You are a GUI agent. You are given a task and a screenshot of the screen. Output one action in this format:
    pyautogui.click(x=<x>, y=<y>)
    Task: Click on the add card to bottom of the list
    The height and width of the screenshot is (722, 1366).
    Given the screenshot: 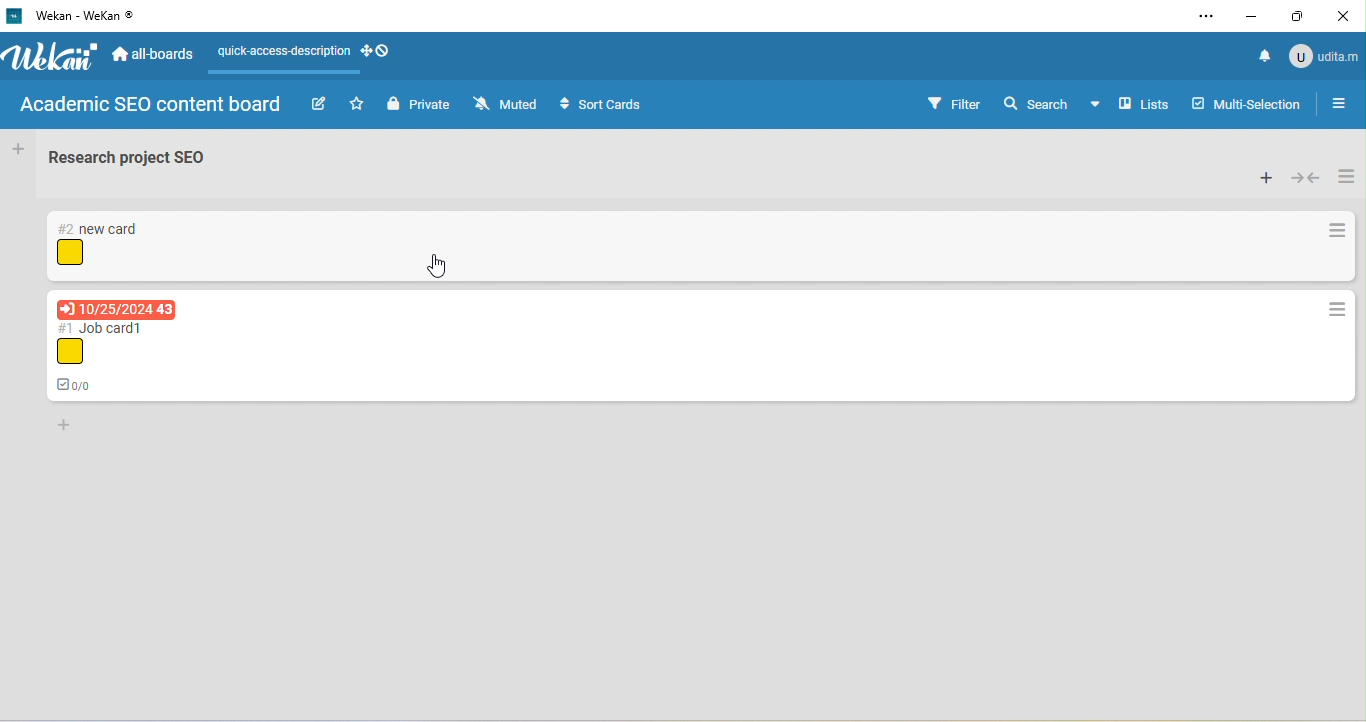 What is the action you would take?
    pyautogui.click(x=66, y=426)
    